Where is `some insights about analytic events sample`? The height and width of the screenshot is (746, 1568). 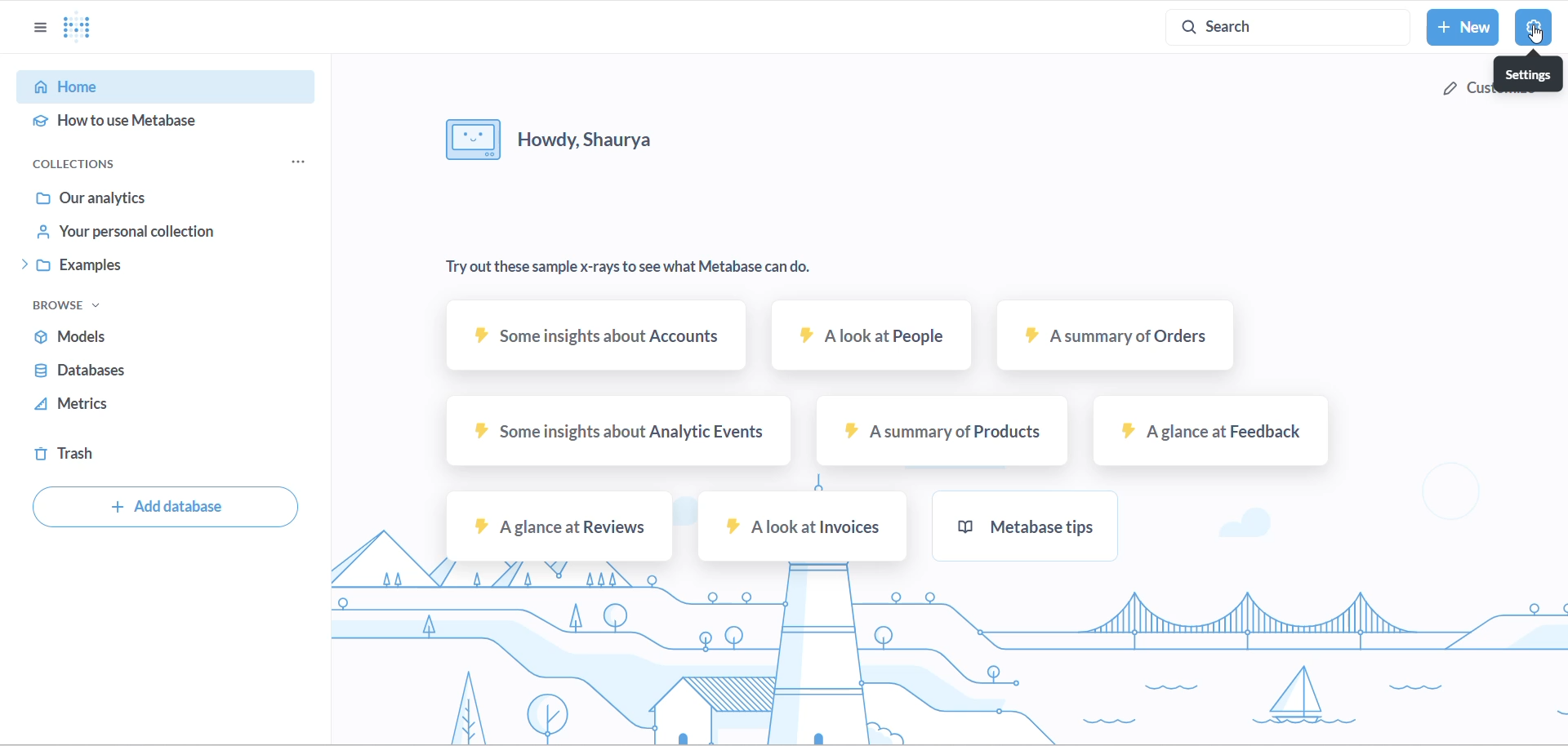
some insights about analytic events sample is located at coordinates (621, 433).